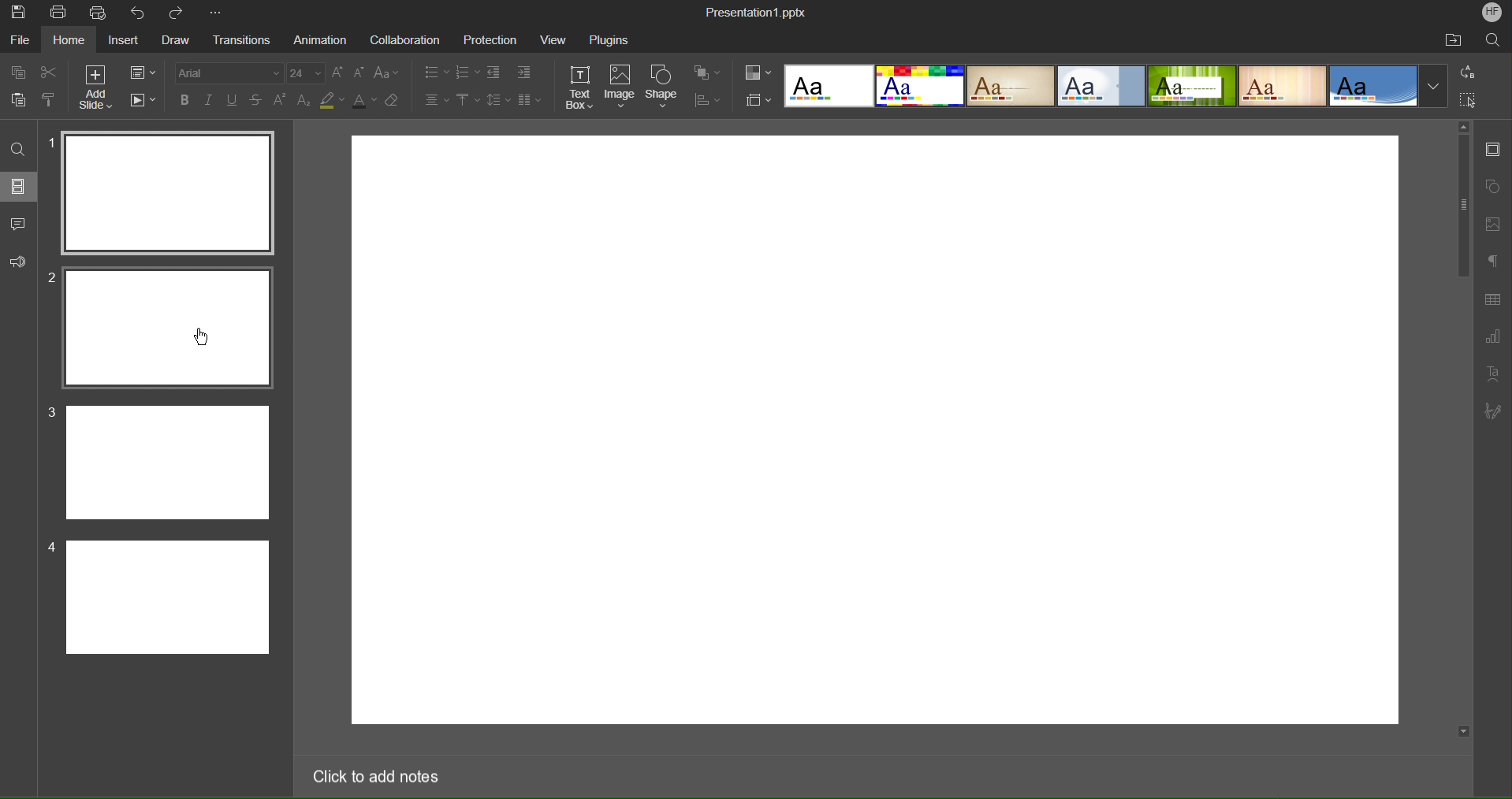  I want to click on Home, so click(71, 40).